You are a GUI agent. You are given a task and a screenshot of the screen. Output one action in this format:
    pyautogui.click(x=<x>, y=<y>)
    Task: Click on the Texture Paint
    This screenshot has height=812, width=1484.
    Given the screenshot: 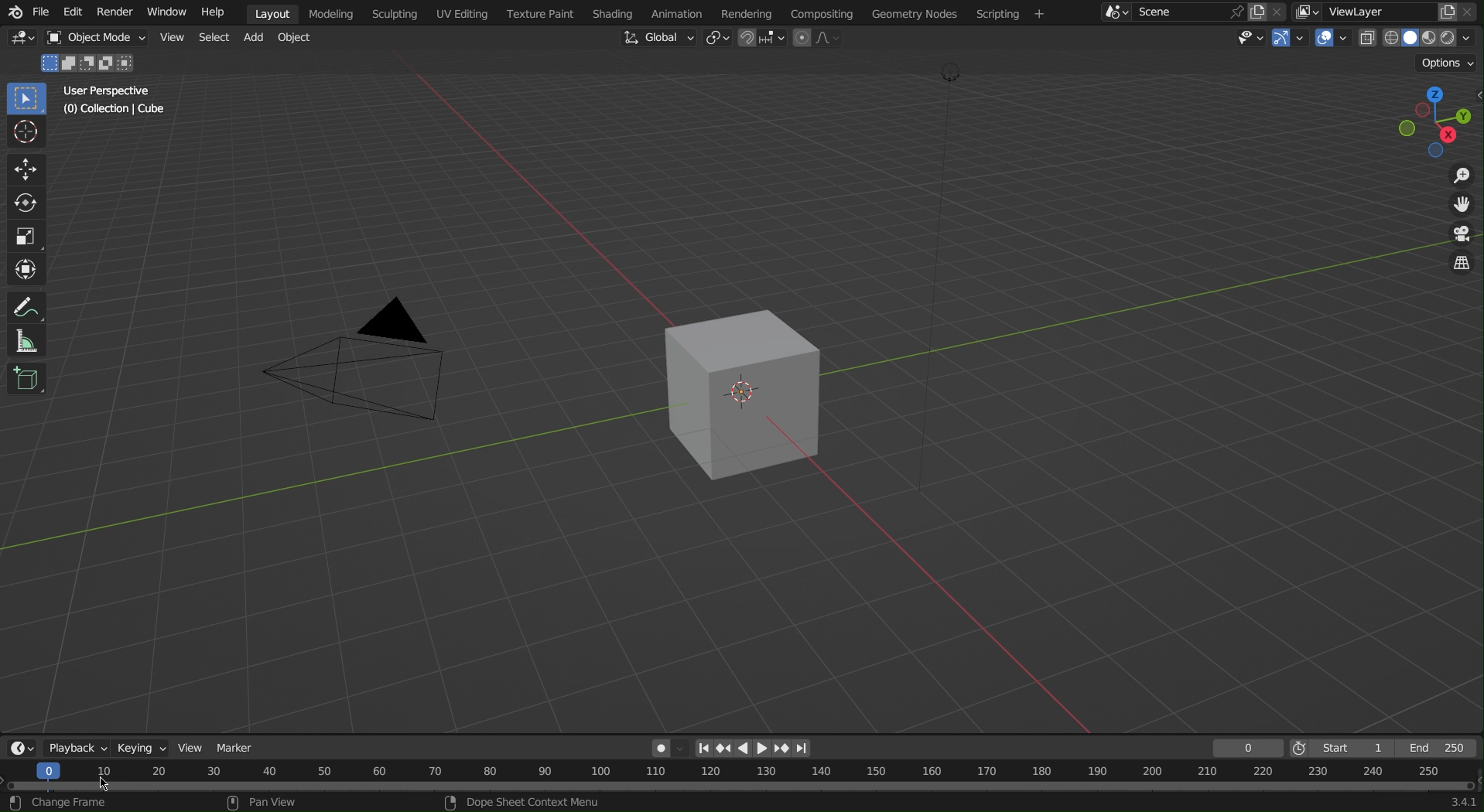 What is the action you would take?
    pyautogui.click(x=536, y=13)
    